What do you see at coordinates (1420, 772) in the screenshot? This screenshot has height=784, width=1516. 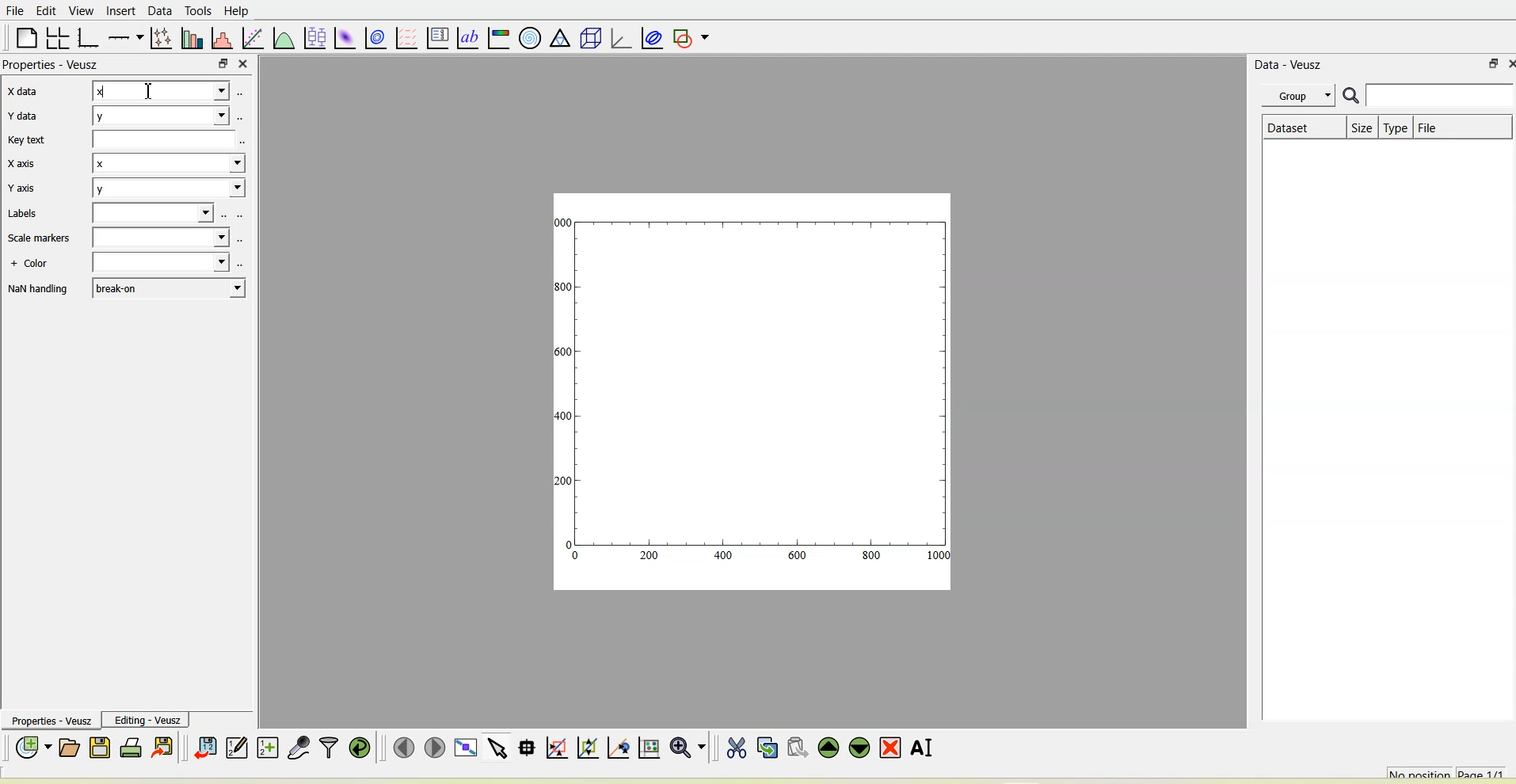 I see `No position` at bounding box center [1420, 772].